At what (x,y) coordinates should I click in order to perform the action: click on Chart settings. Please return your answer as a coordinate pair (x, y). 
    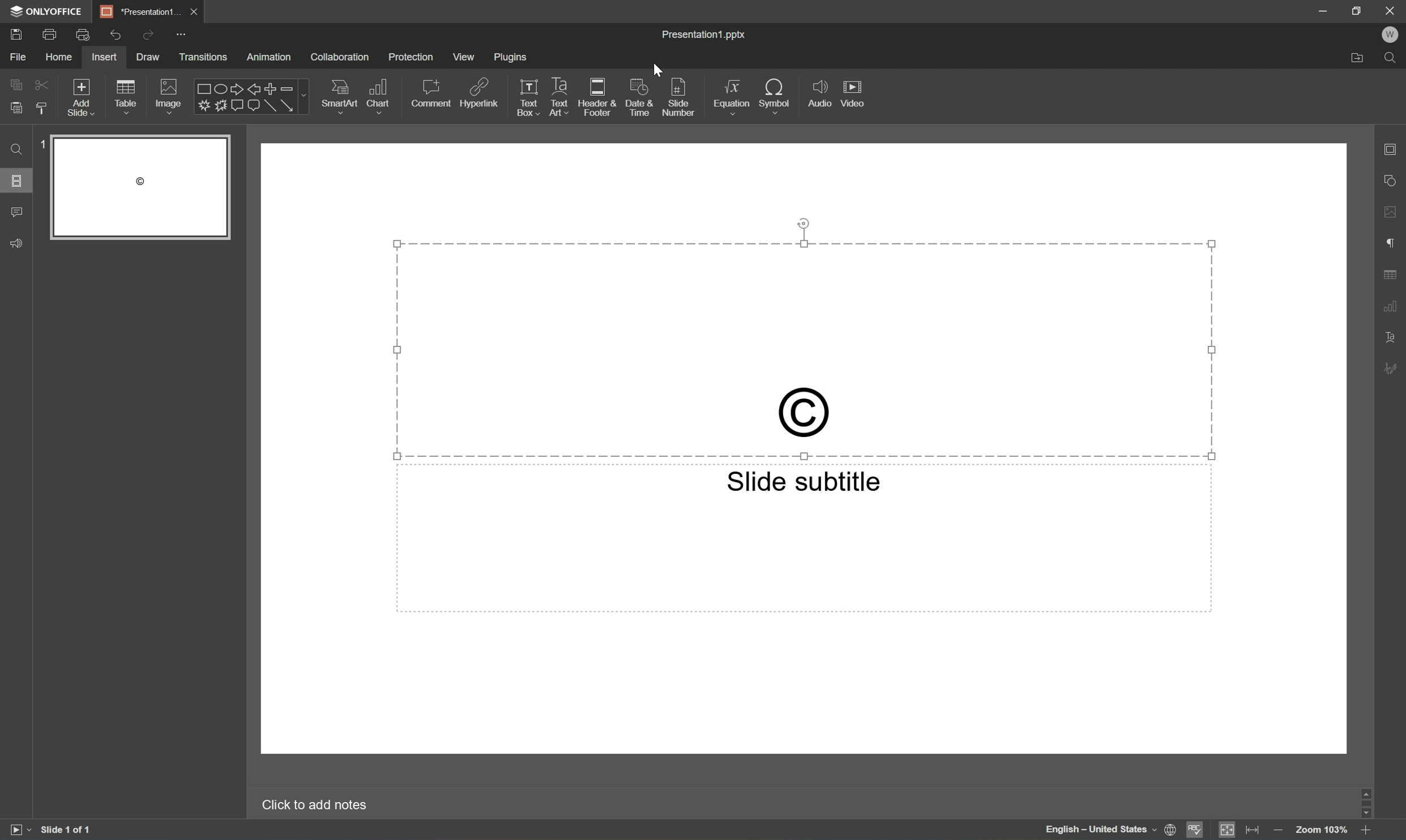
    Looking at the image, I should click on (1391, 307).